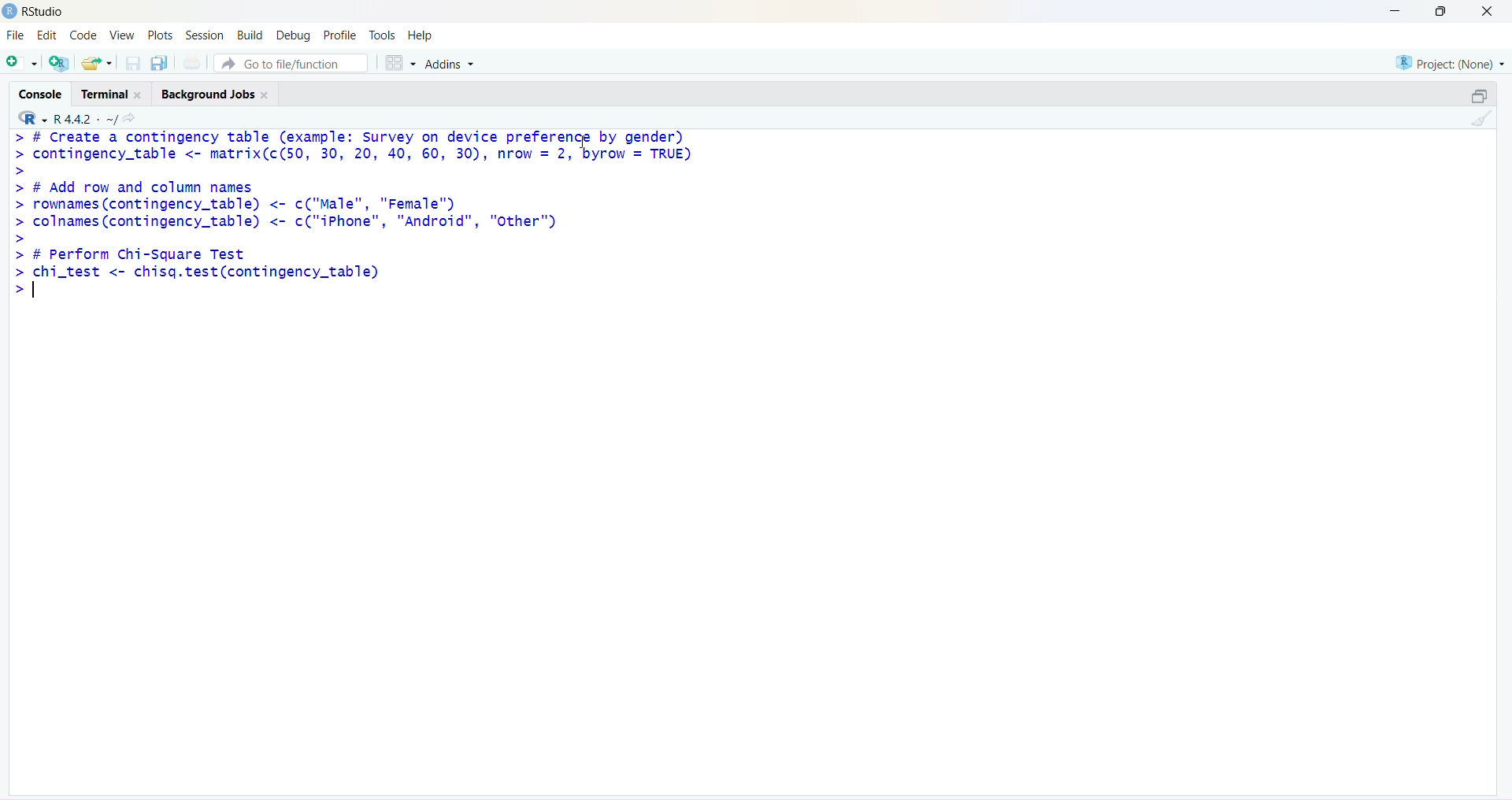 The height and width of the screenshot is (800, 1512). I want to click on File, so click(17, 35).